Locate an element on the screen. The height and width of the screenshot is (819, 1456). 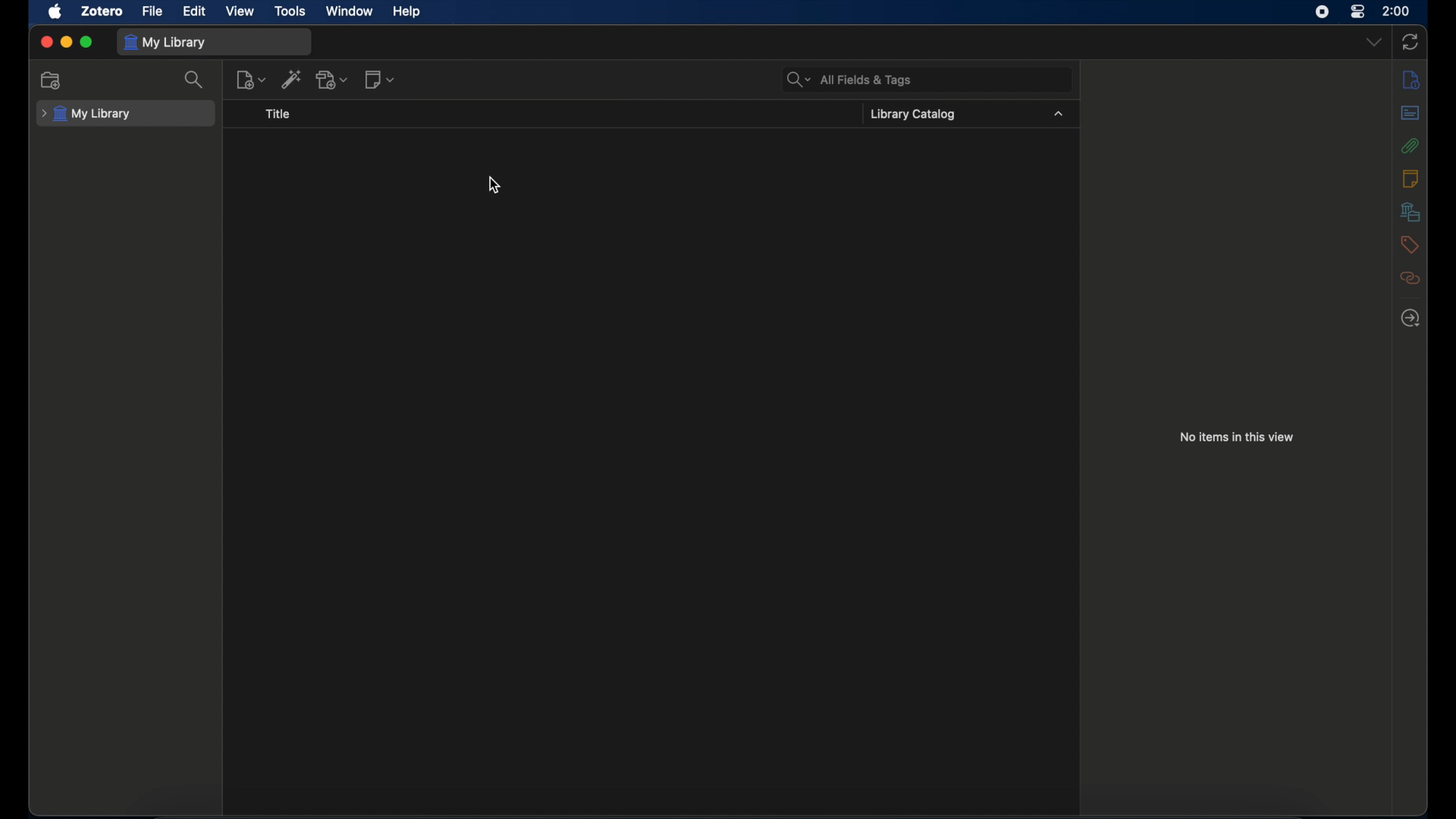
add item by identifier is located at coordinates (293, 79).